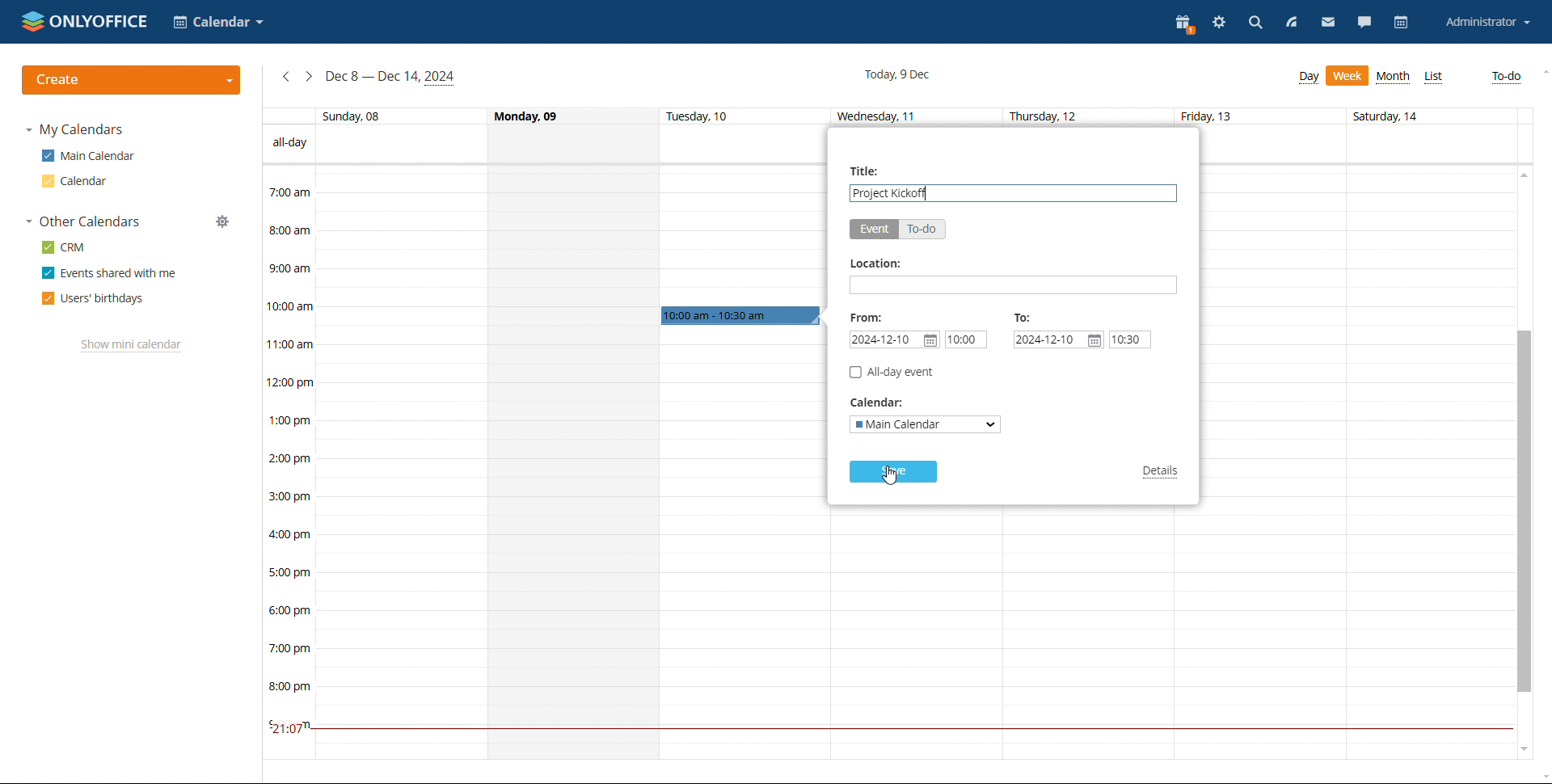 Image resolution: width=1552 pixels, height=784 pixels. I want to click on scroll up, so click(1542, 72).